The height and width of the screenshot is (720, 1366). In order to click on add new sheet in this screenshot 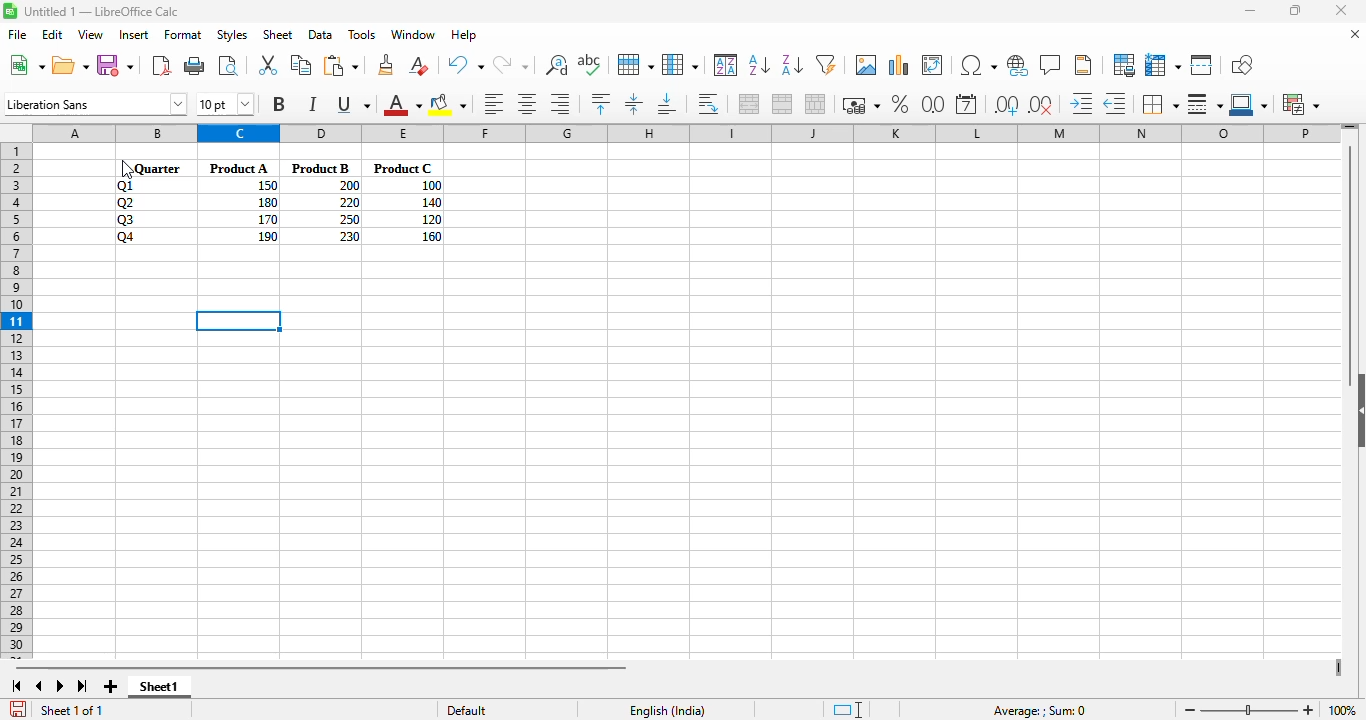, I will do `click(111, 686)`.